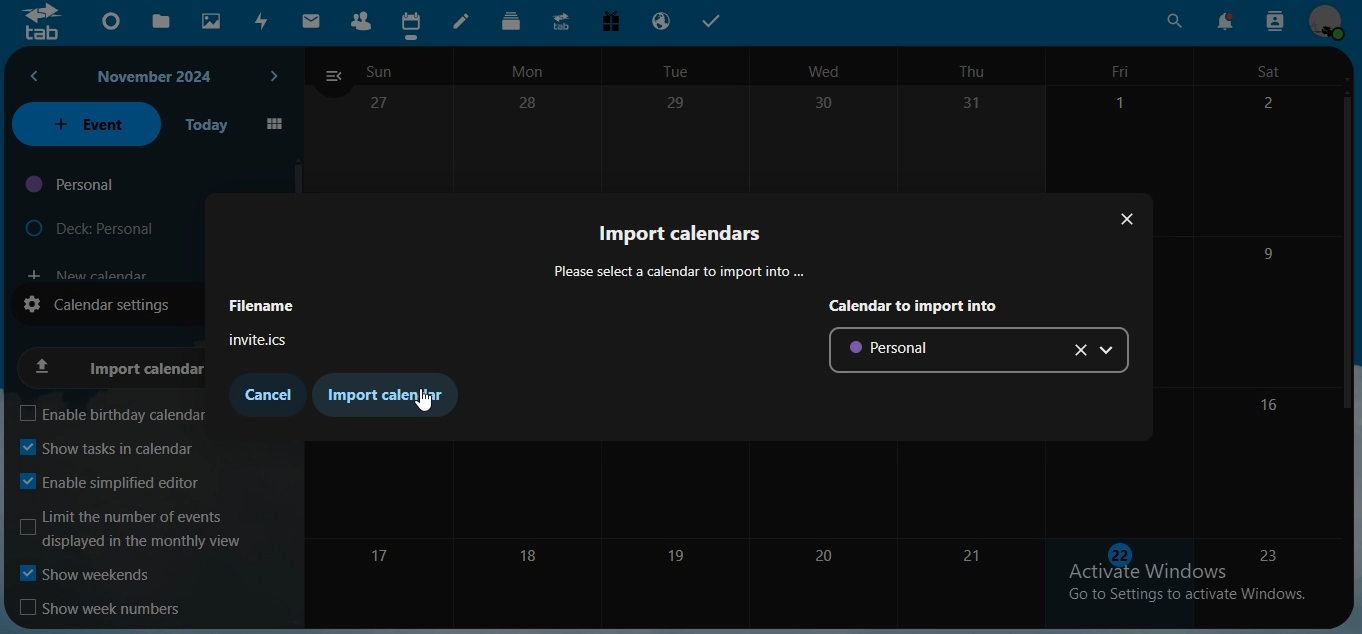  Describe the element at coordinates (1222, 21) in the screenshot. I see `notifications` at that location.